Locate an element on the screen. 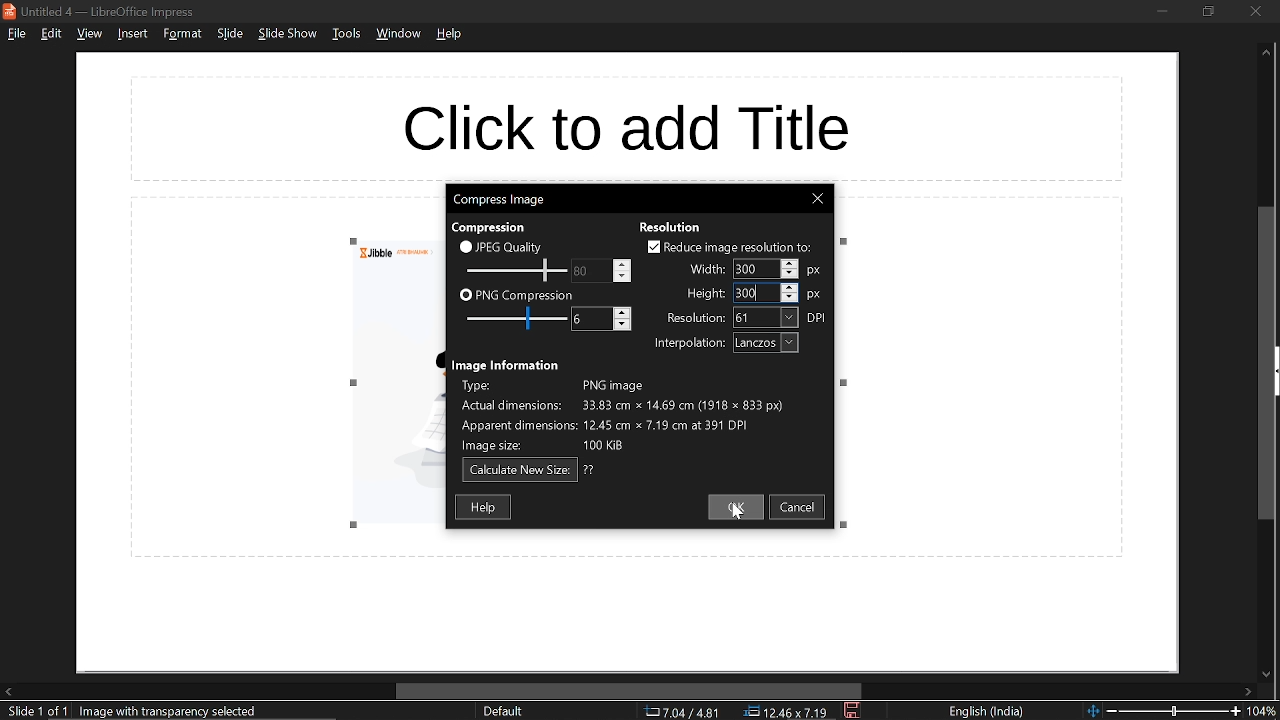 The height and width of the screenshot is (720, 1280). sheet style is located at coordinates (502, 712).